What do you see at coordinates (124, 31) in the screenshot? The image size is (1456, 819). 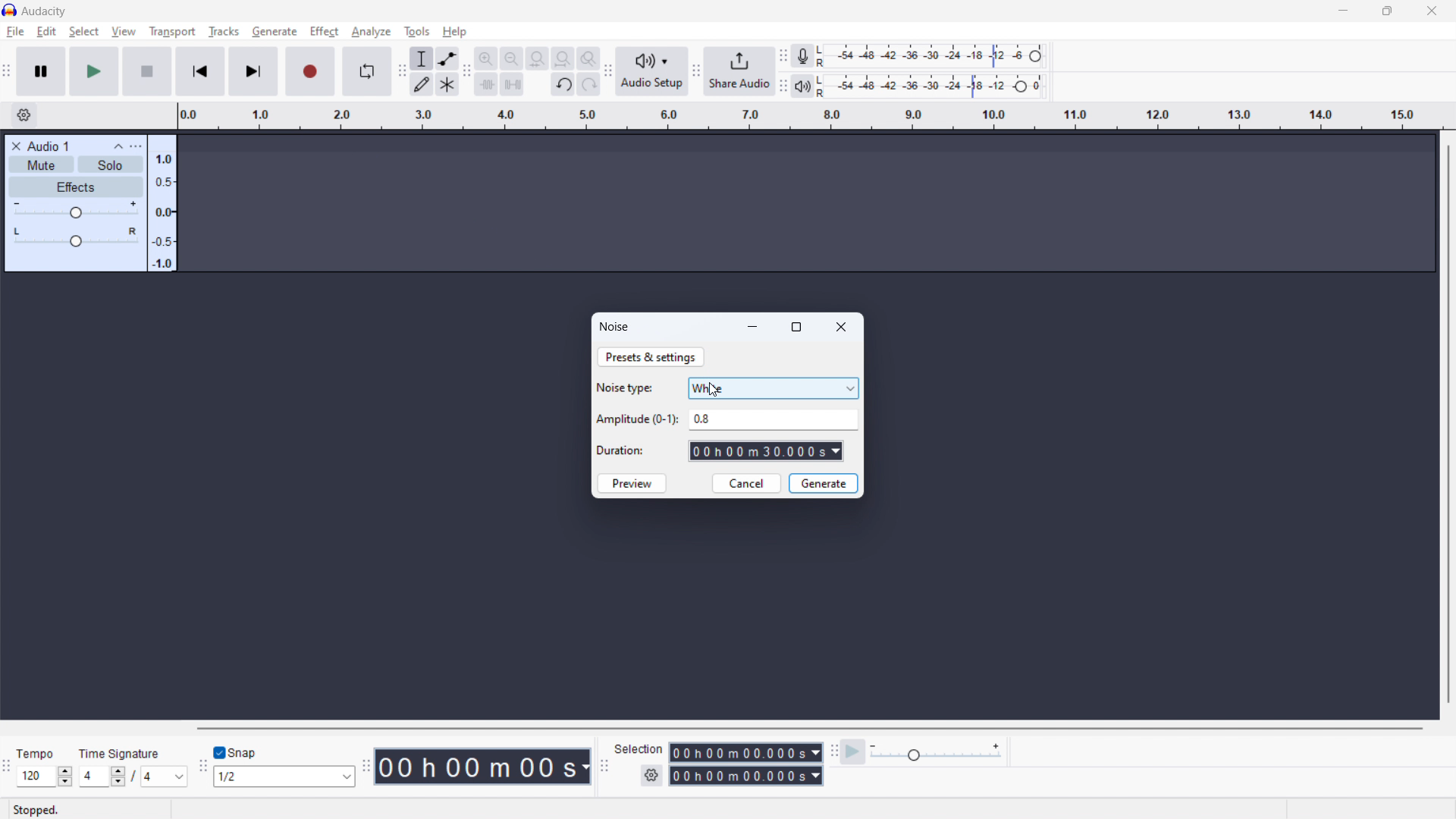 I see `view` at bounding box center [124, 31].